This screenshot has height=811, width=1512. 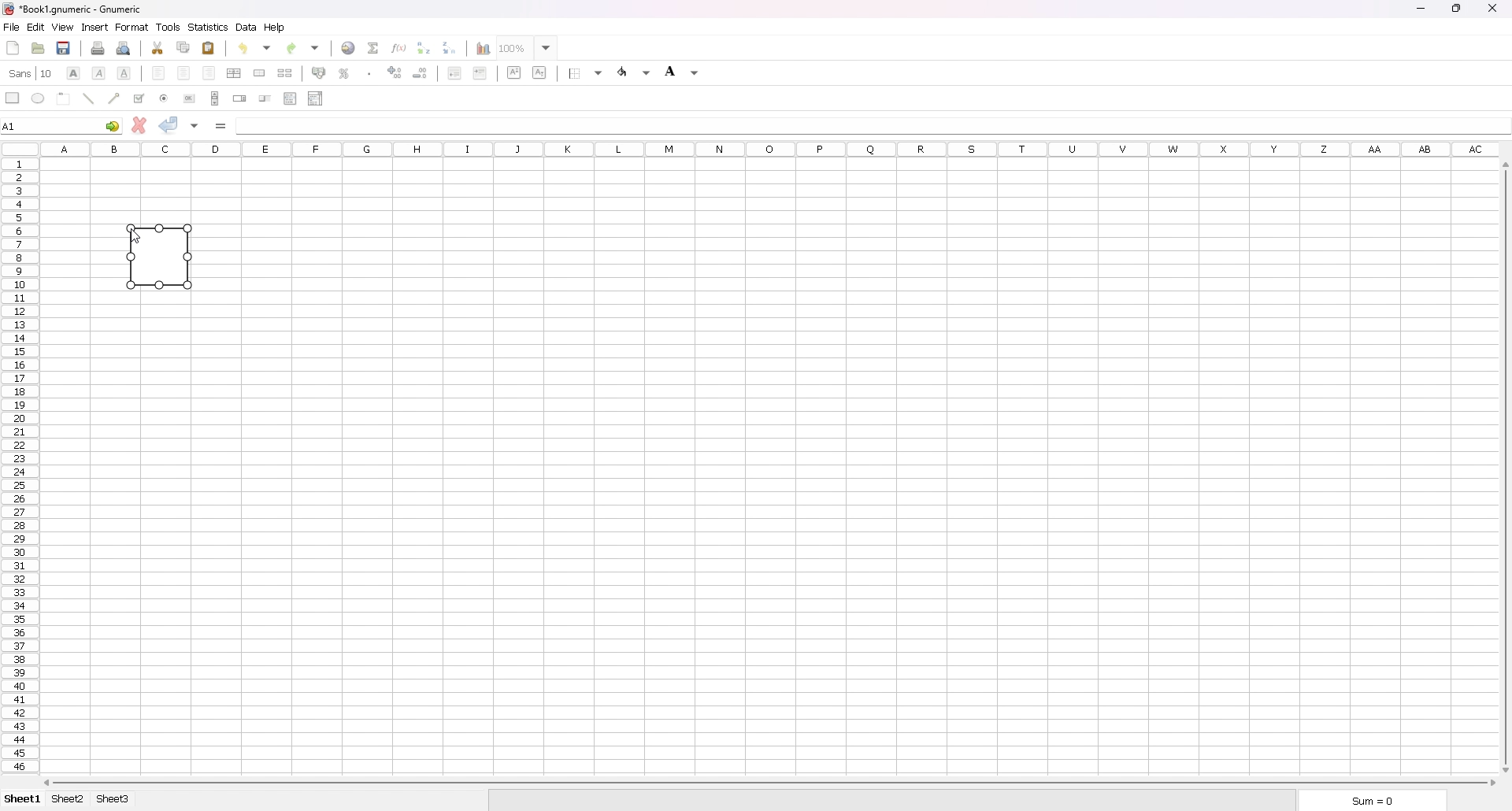 What do you see at coordinates (69, 799) in the screenshot?
I see `sheet 2` at bounding box center [69, 799].